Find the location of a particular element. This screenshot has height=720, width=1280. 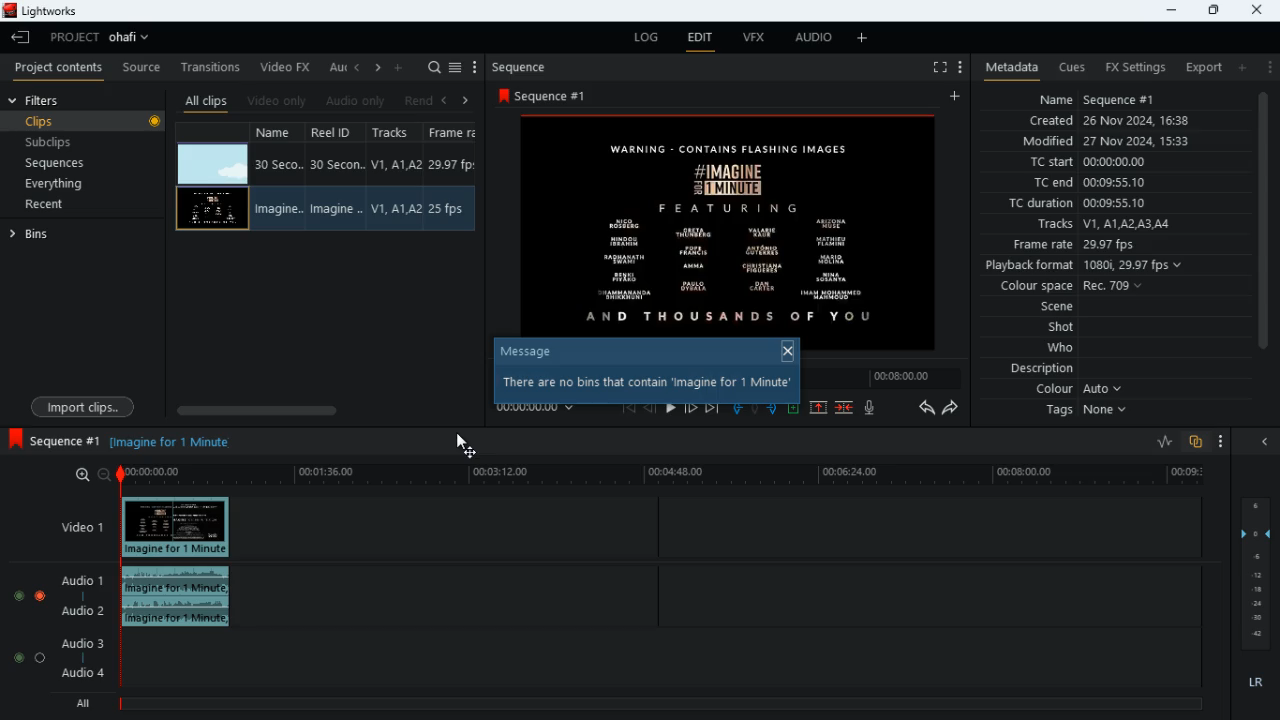

up is located at coordinates (817, 408).